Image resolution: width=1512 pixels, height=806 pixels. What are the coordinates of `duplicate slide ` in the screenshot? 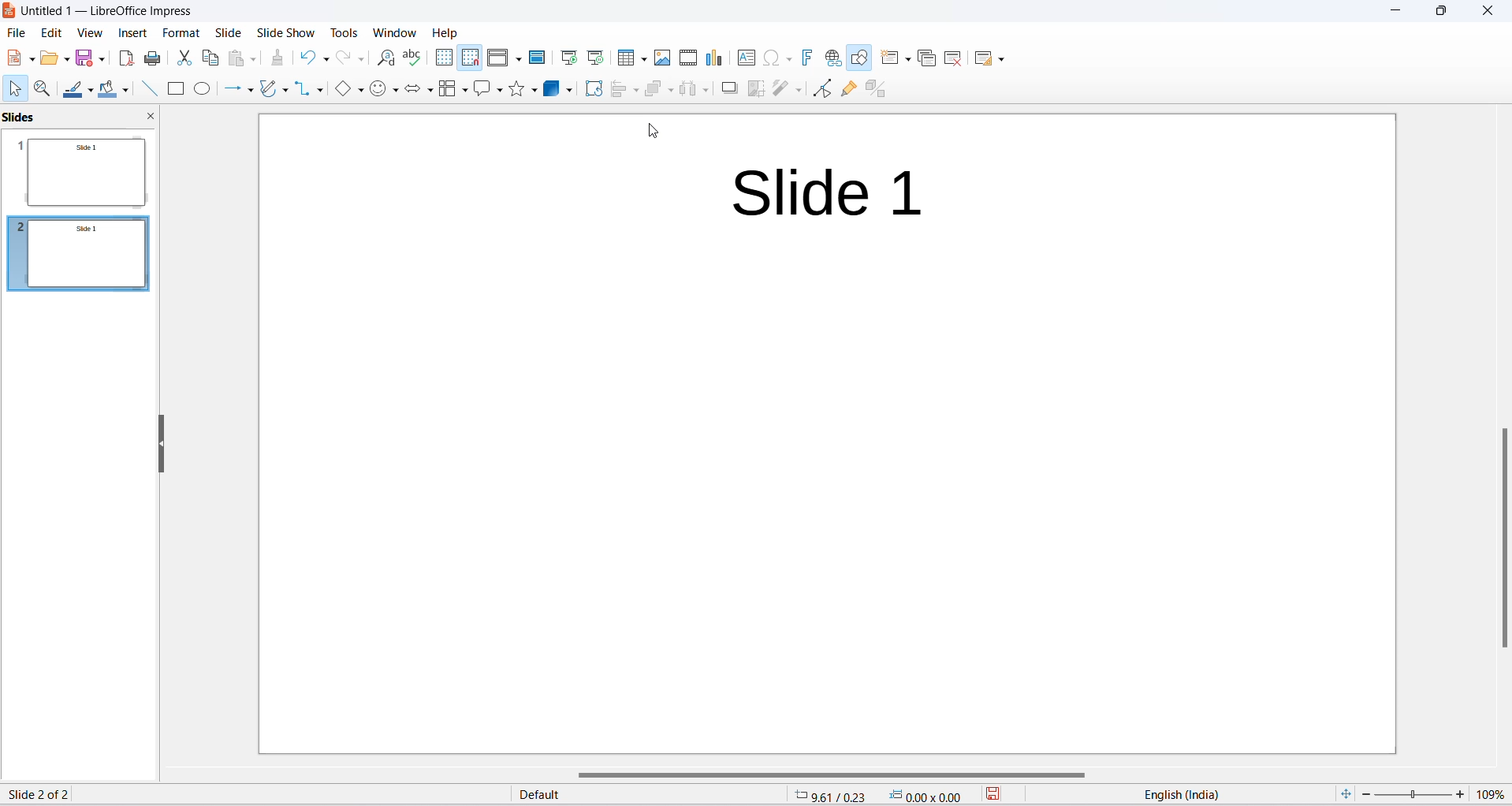 It's located at (825, 436).